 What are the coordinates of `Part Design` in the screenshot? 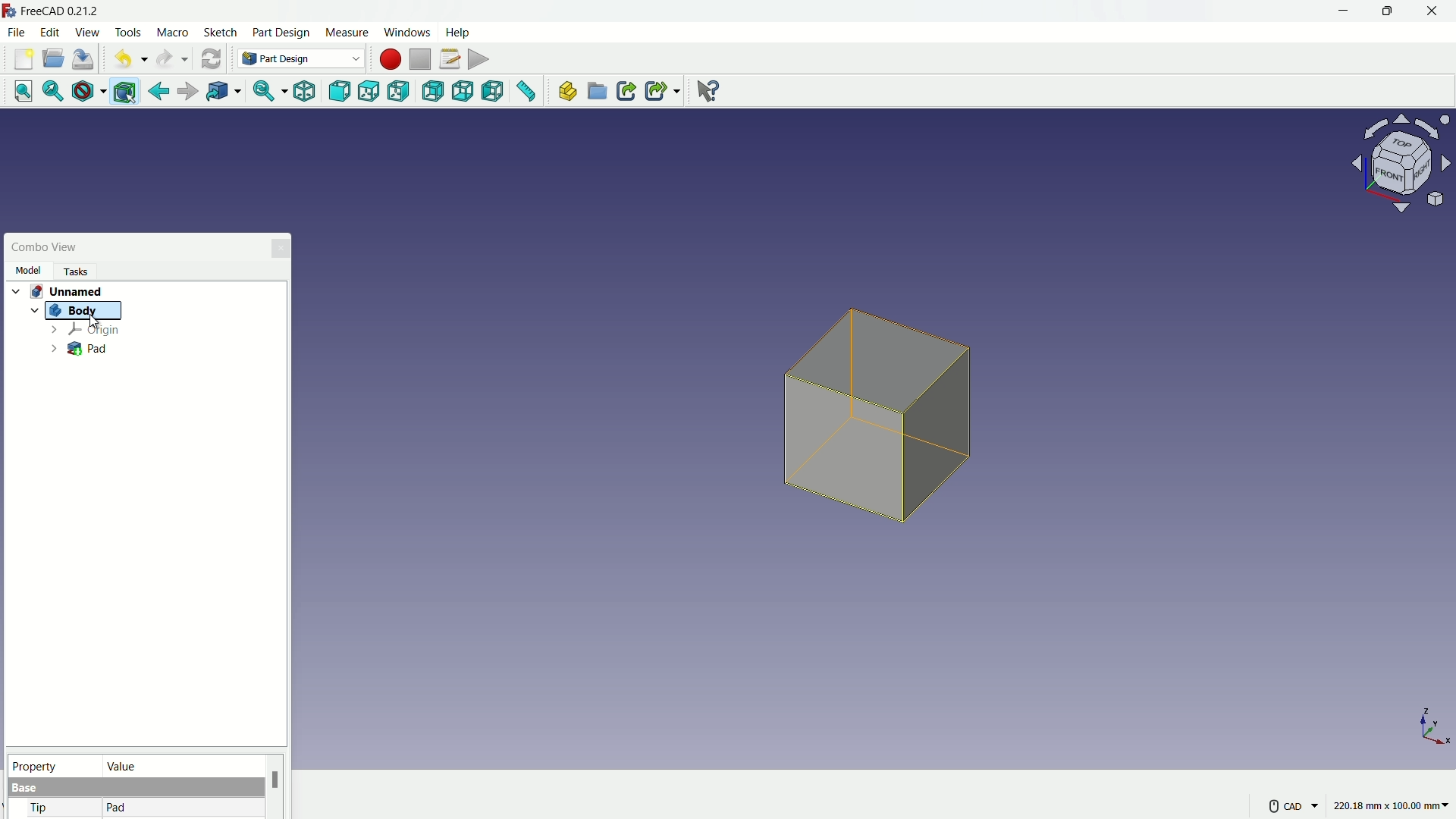 It's located at (301, 58).